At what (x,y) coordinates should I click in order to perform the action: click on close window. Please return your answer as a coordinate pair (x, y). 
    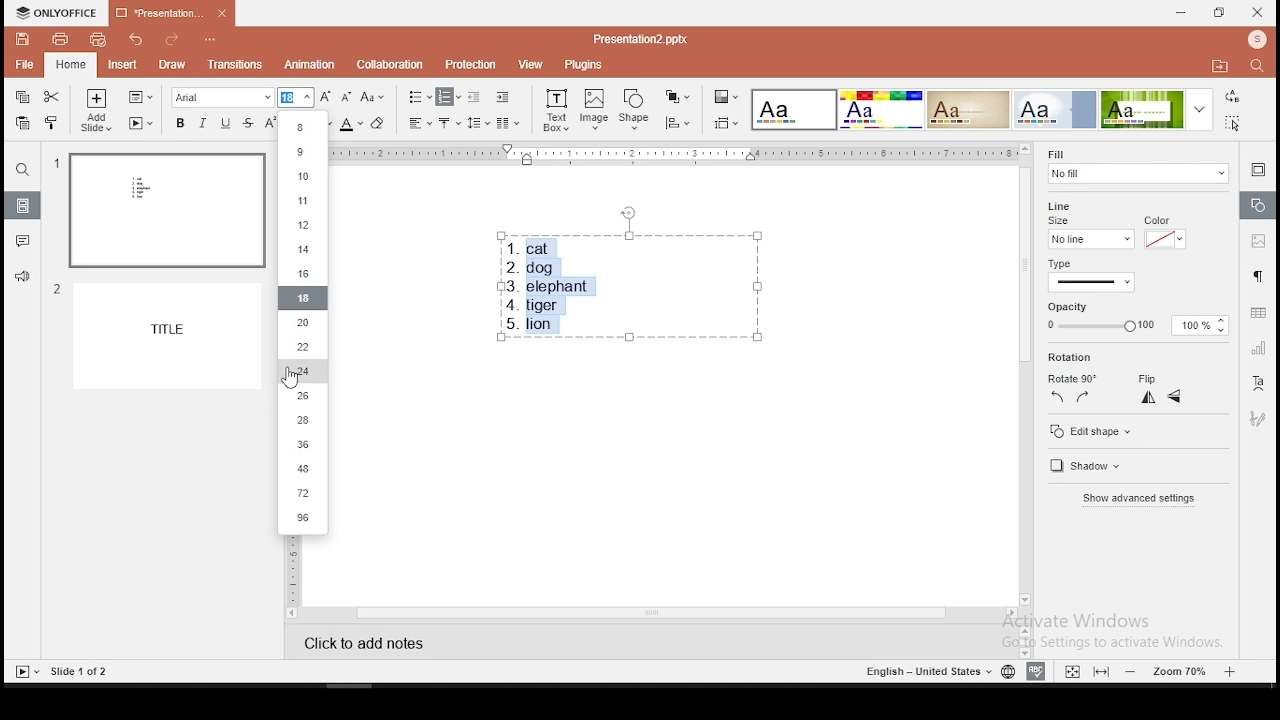
    Looking at the image, I should click on (1259, 13).